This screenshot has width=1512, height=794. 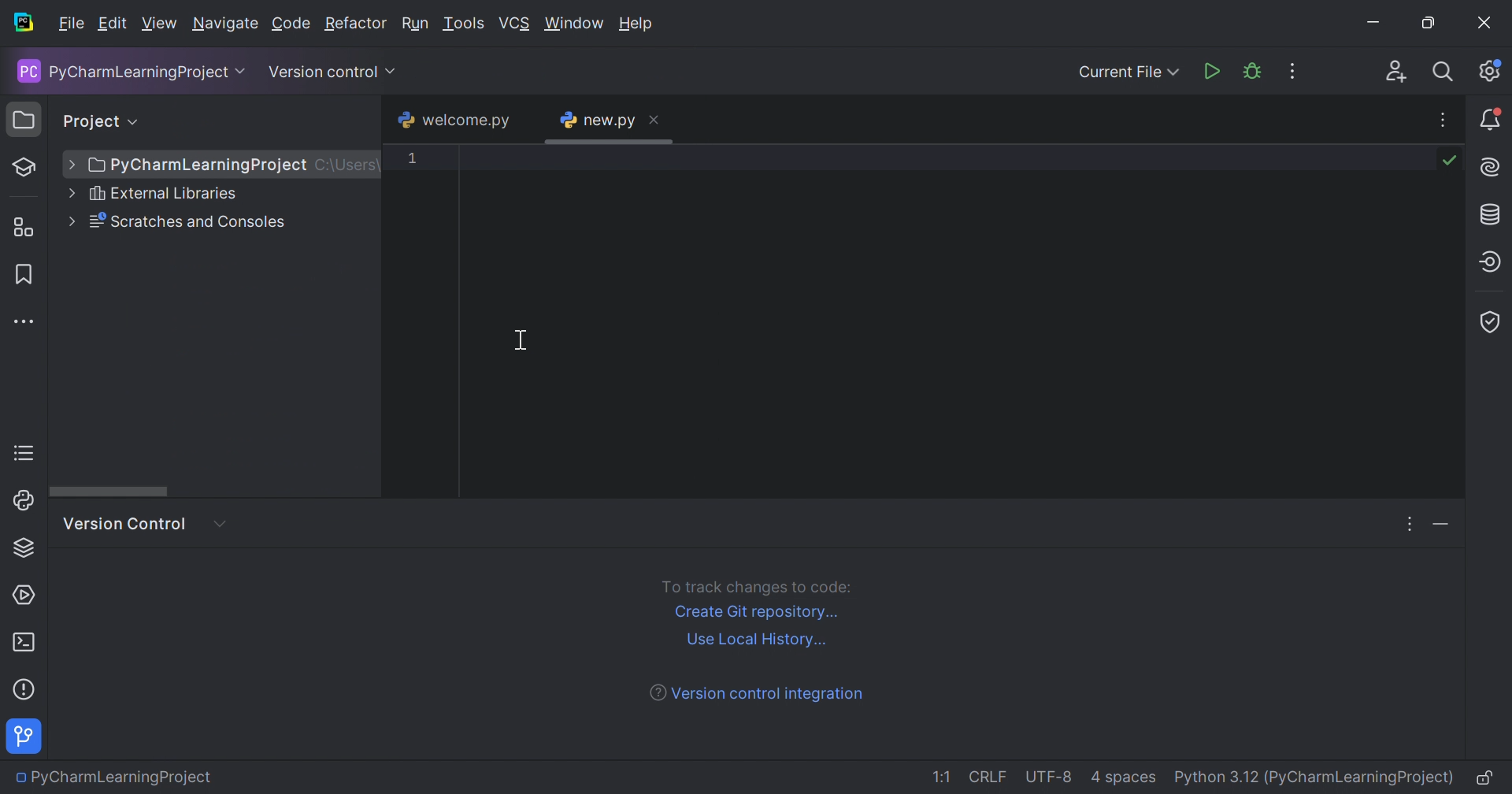 What do you see at coordinates (131, 525) in the screenshot?
I see `Version control` at bounding box center [131, 525].